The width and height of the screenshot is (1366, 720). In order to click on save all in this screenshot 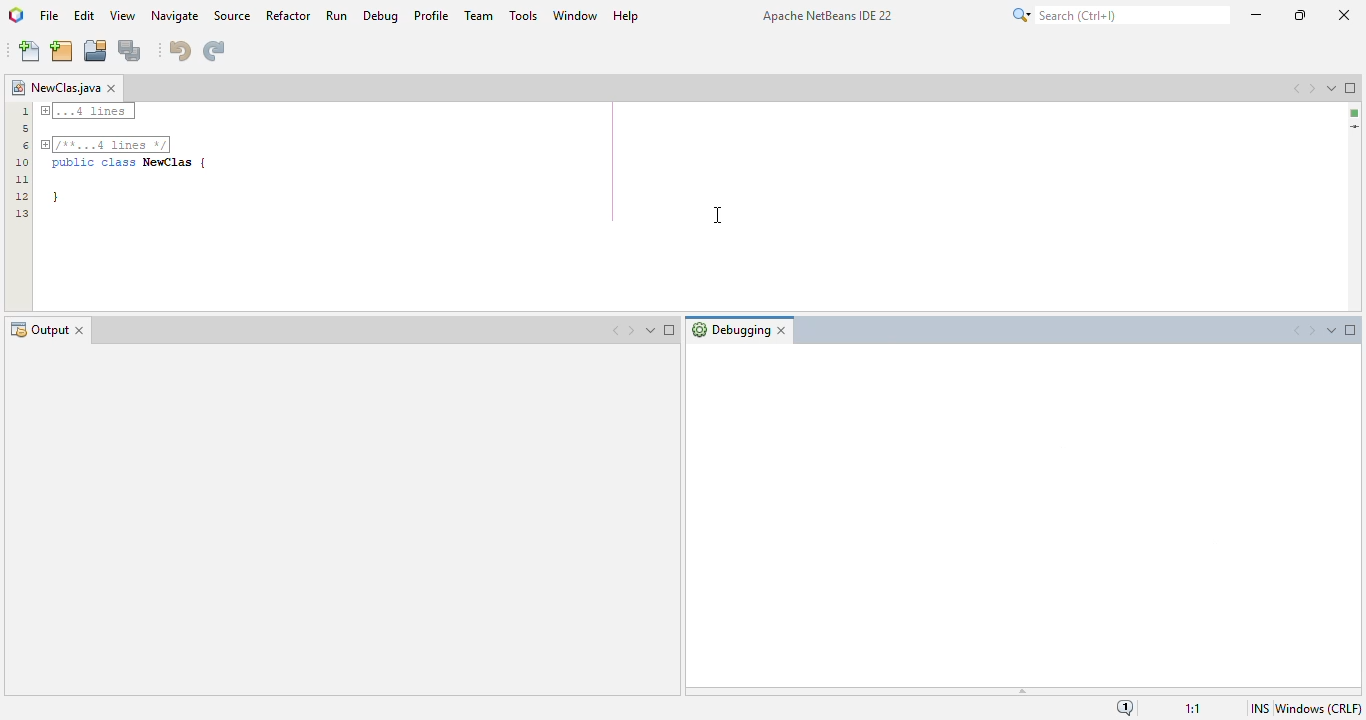, I will do `click(130, 51)`.